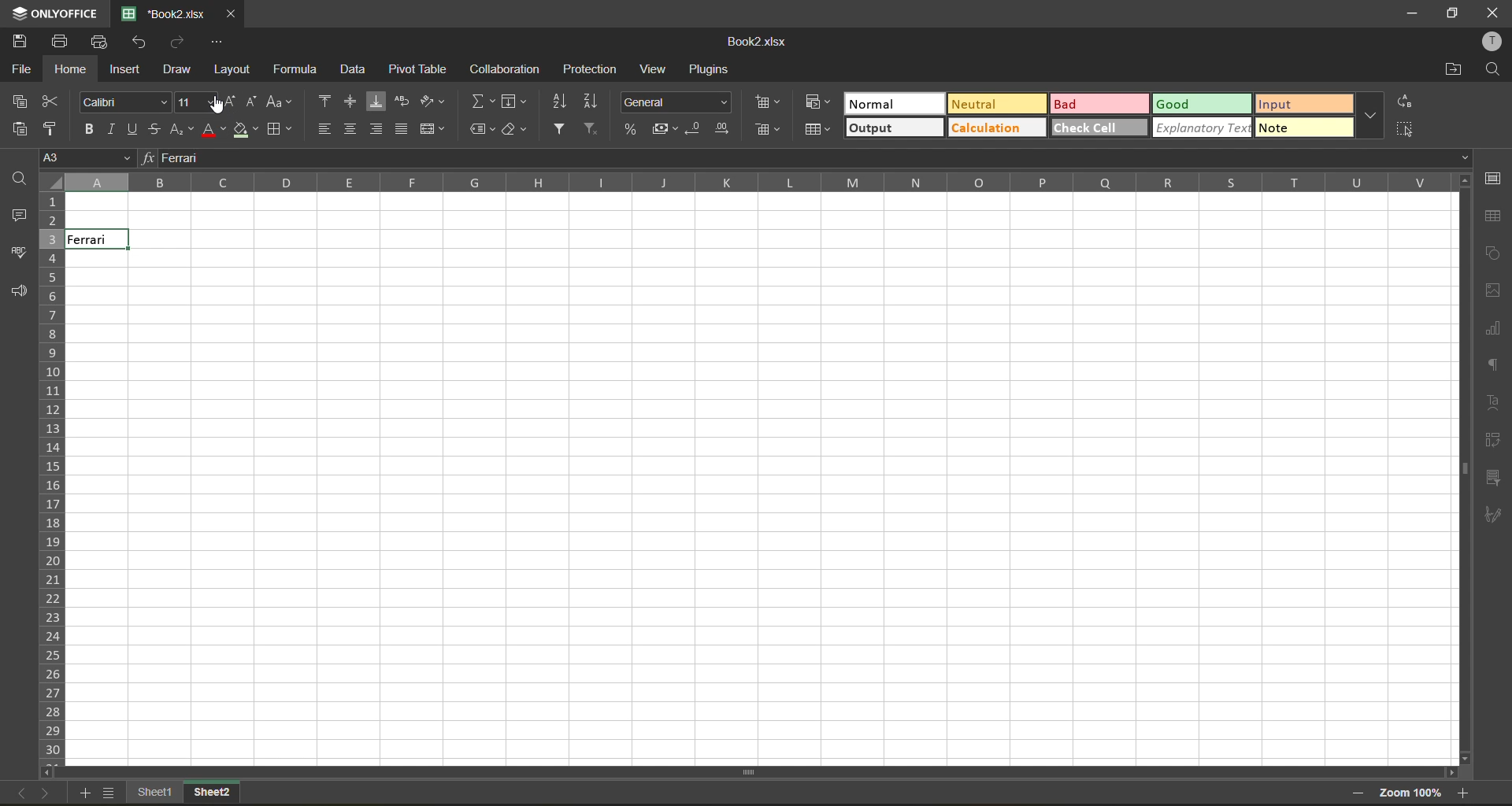  Describe the element at coordinates (255, 102) in the screenshot. I see `decrement size` at that location.